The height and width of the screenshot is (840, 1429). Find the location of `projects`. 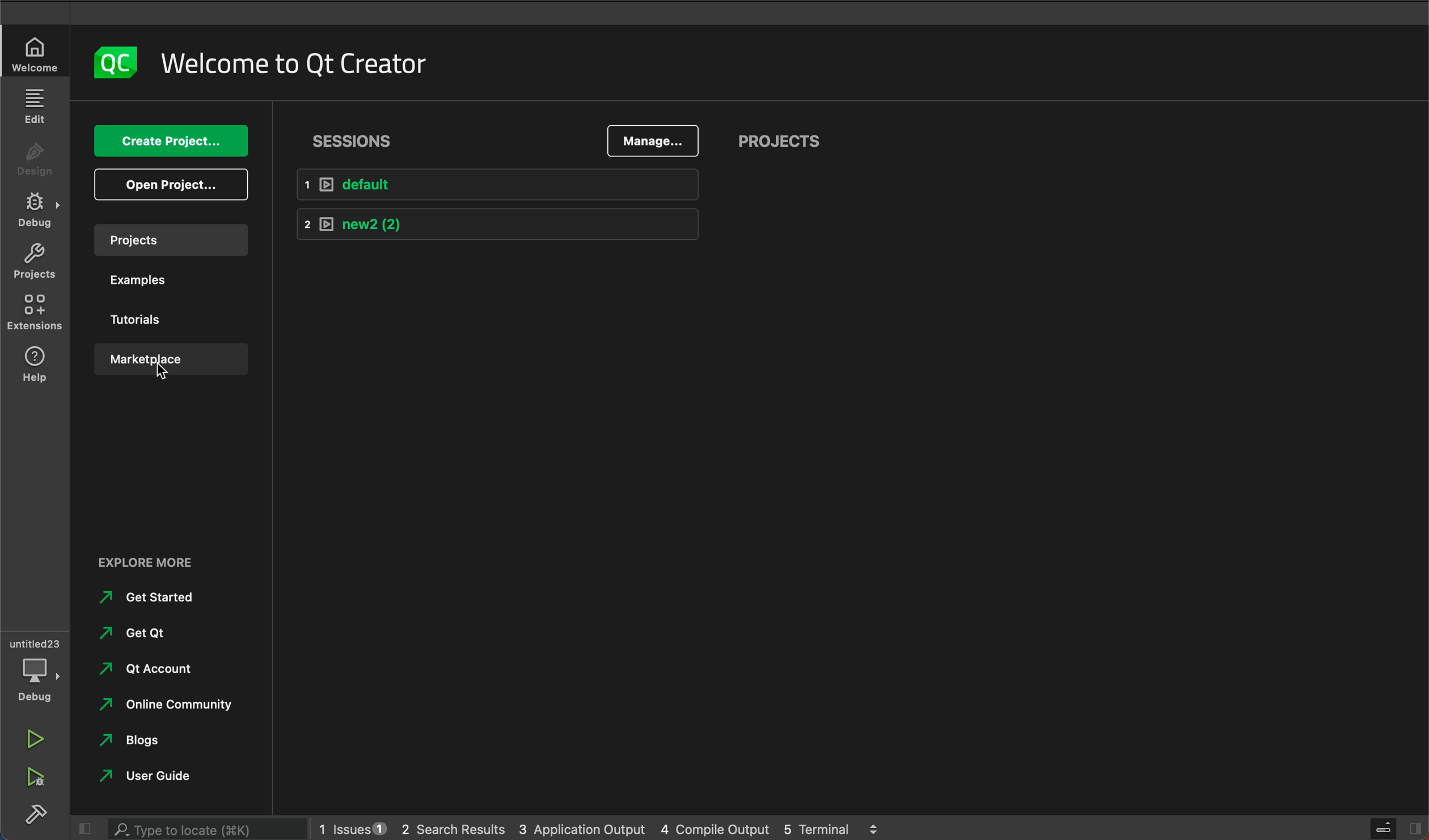

projects is located at coordinates (173, 240).